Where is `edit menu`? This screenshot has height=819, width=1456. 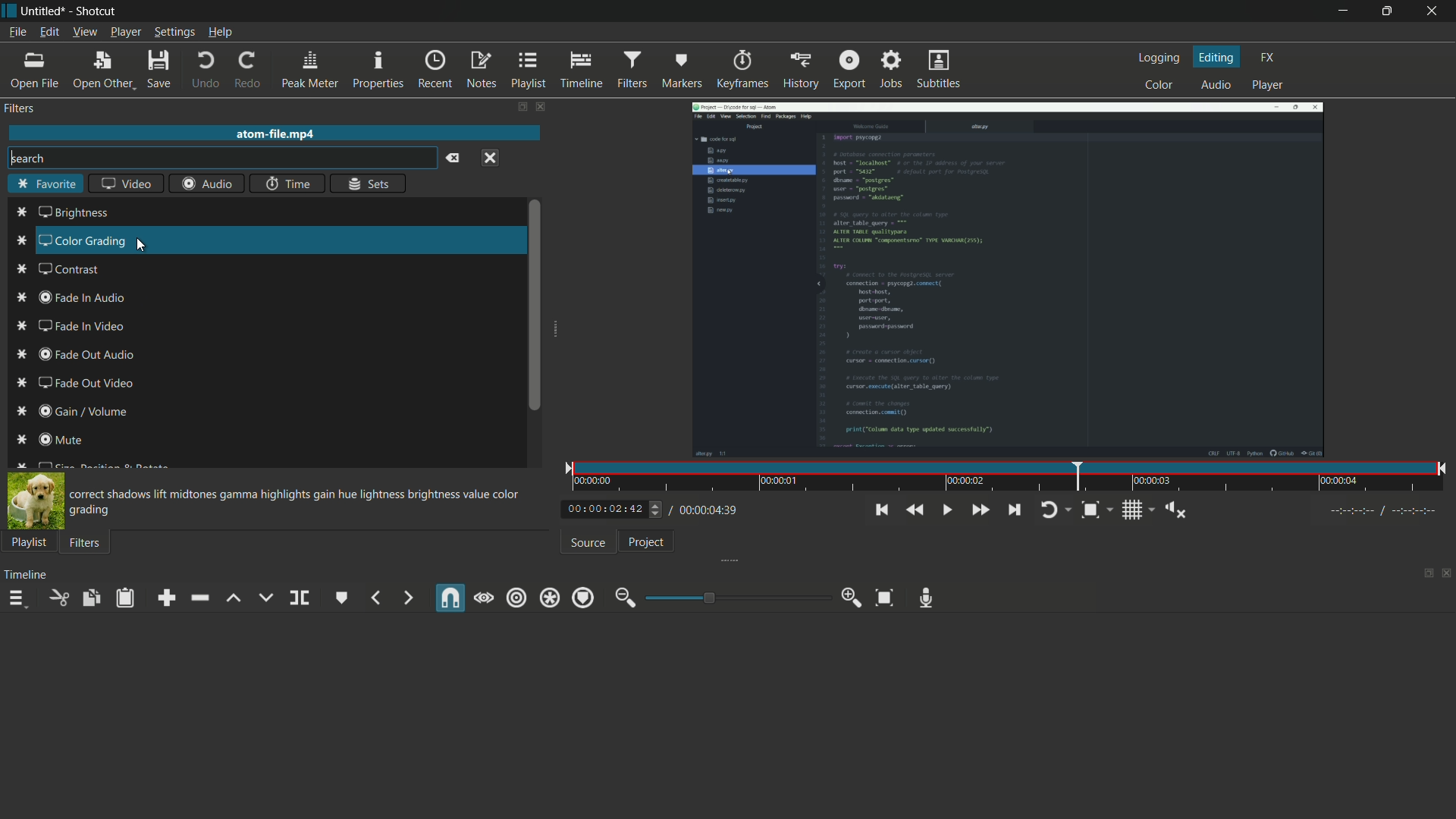
edit menu is located at coordinates (49, 31).